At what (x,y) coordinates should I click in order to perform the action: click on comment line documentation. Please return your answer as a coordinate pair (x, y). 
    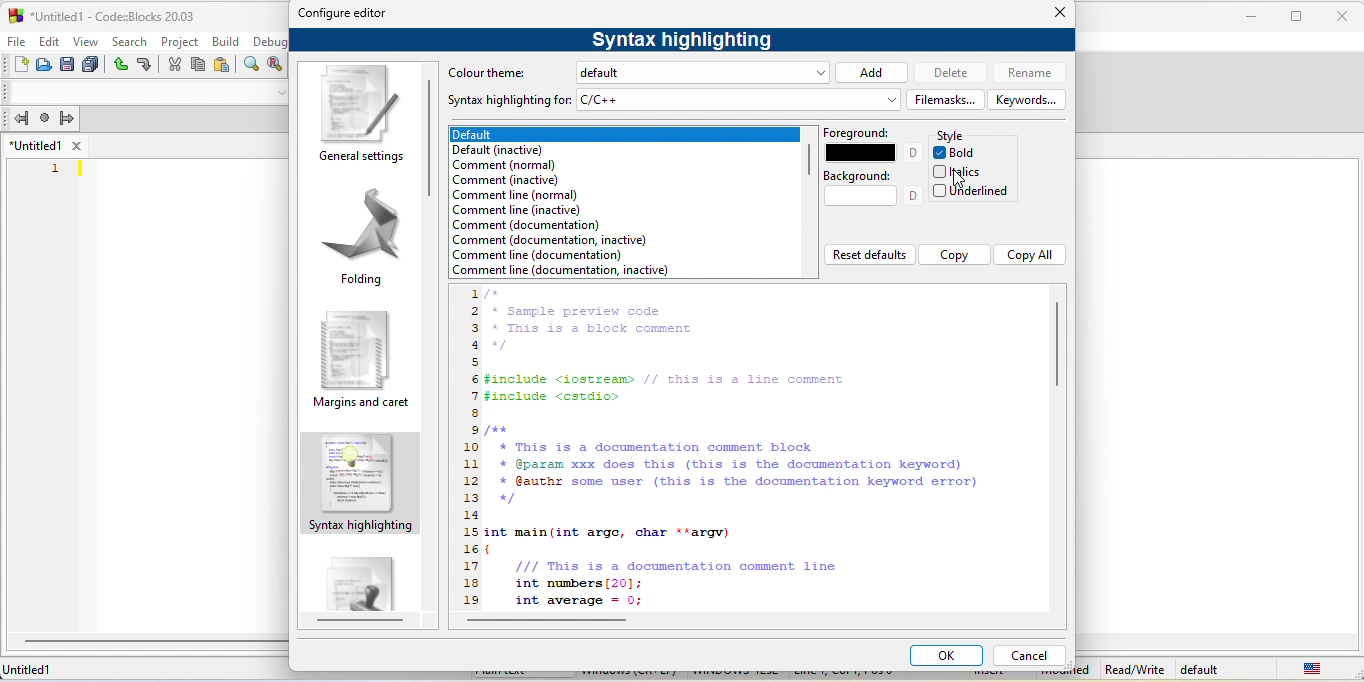
    Looking at the image, I should click on (548, 256).